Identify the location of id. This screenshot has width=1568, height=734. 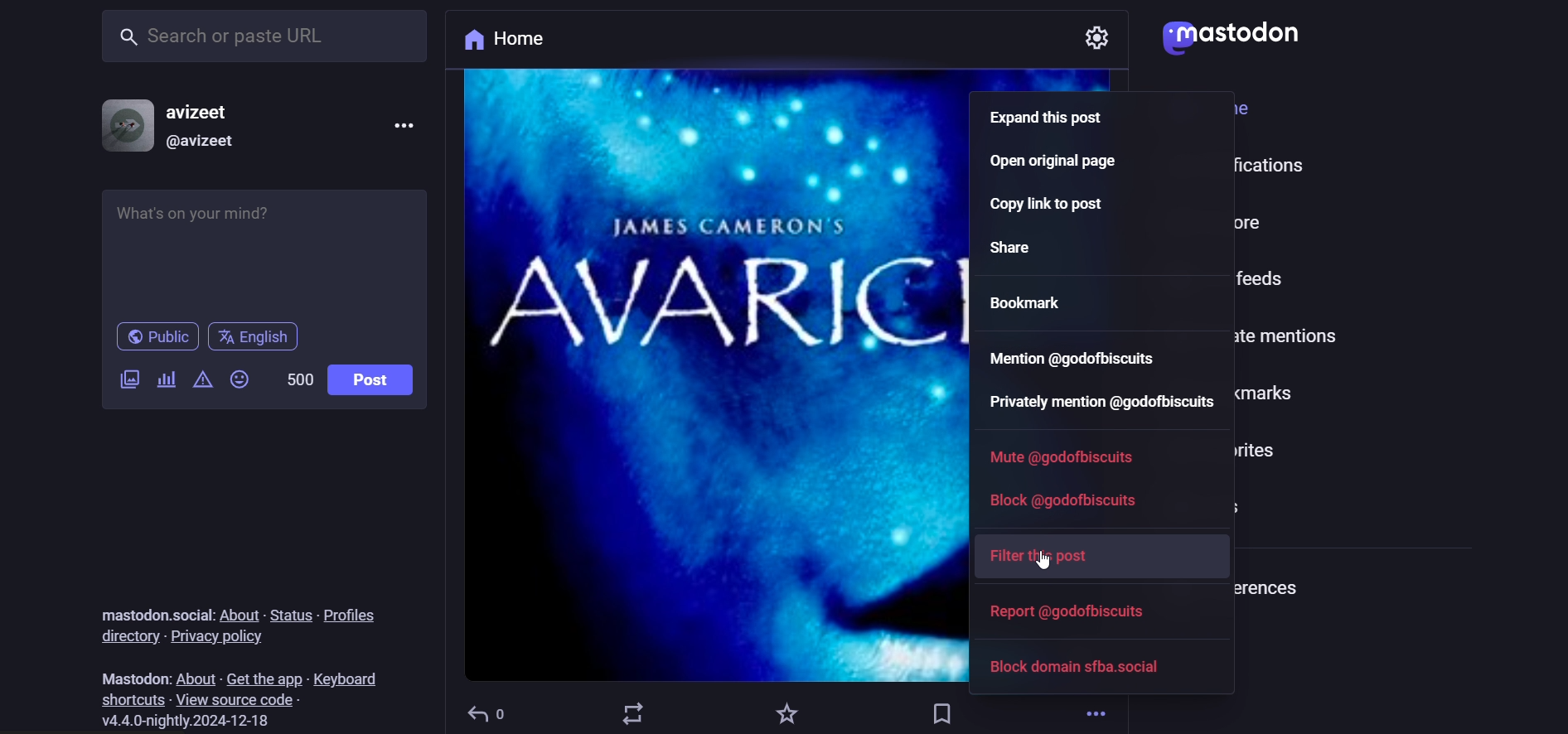
(208, 142).